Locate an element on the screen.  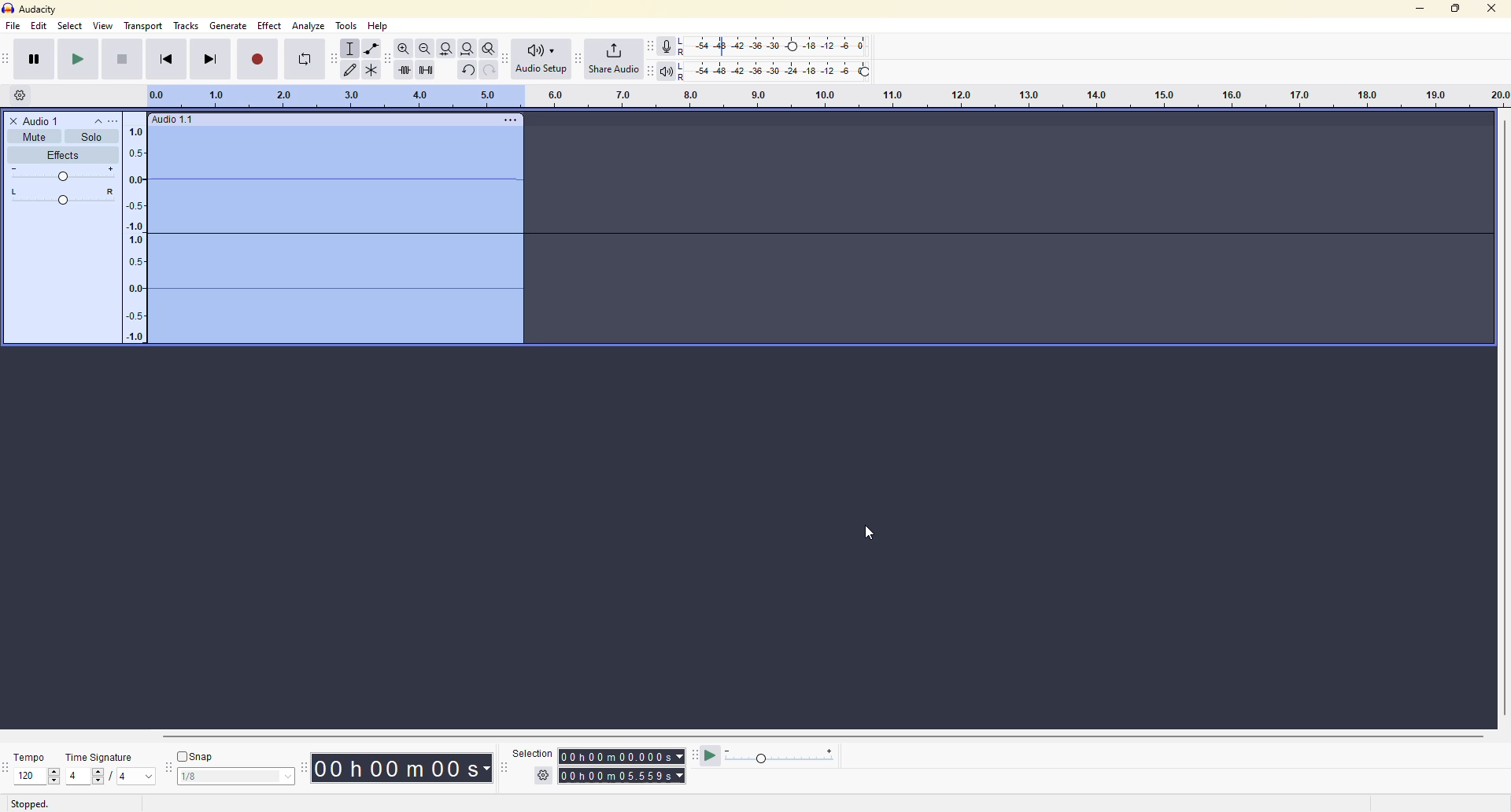
maximize is located at coordinates (1455, 7).